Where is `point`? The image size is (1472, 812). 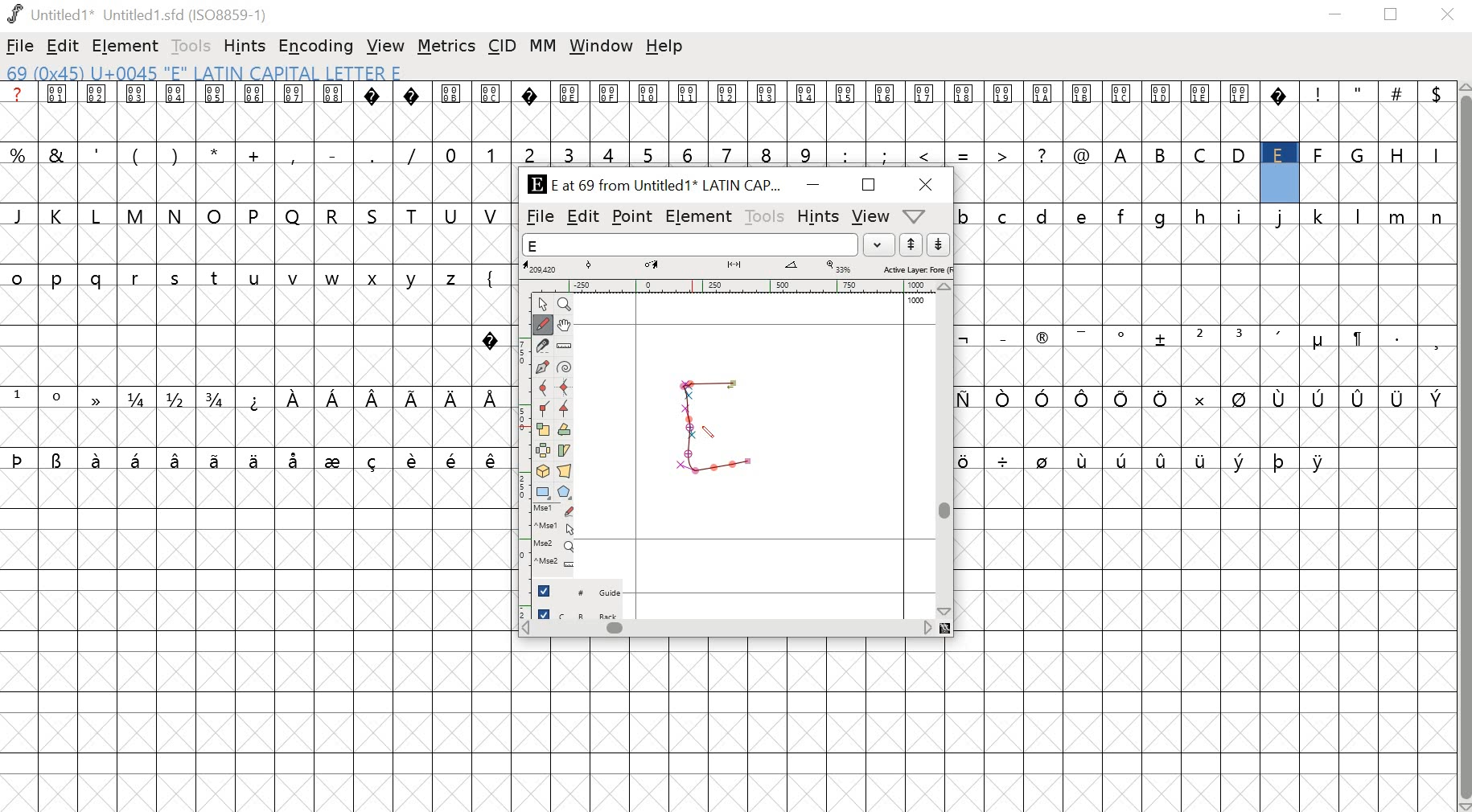 point is located at coordinates (632, 217).